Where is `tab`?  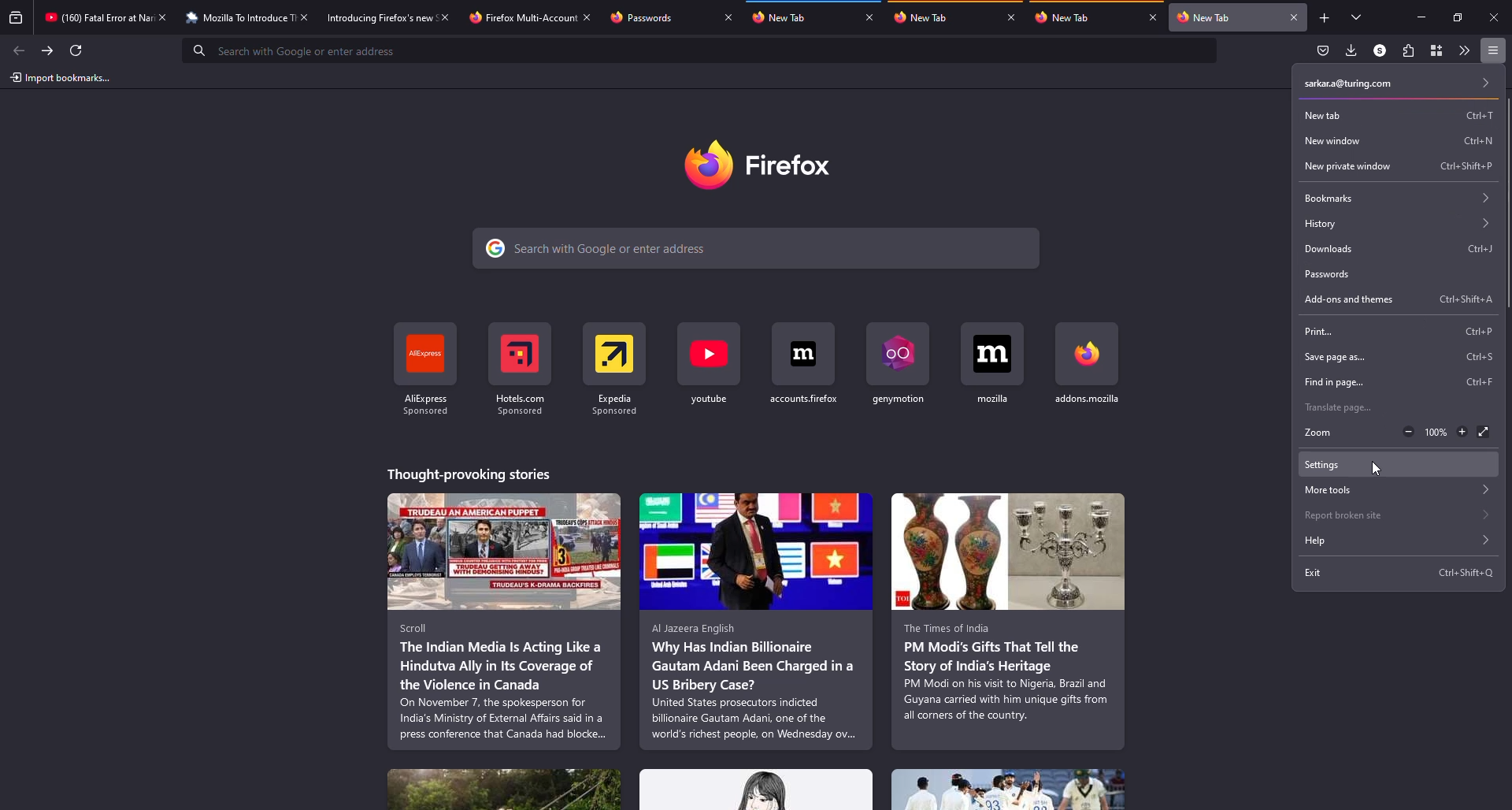
tab is located at coordinates (641, 17).